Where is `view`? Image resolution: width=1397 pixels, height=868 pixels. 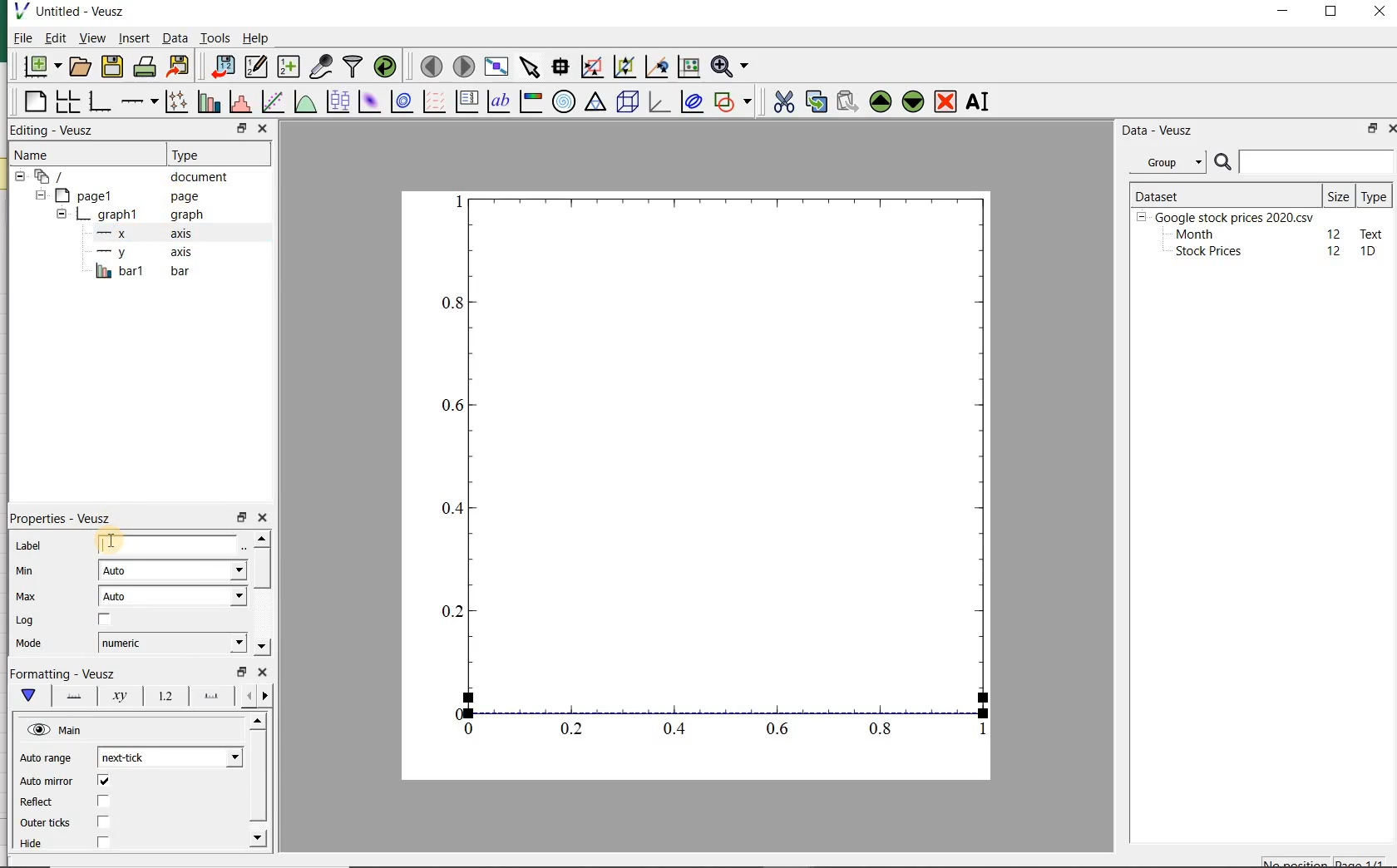 view is located at coordinates (92, 39).